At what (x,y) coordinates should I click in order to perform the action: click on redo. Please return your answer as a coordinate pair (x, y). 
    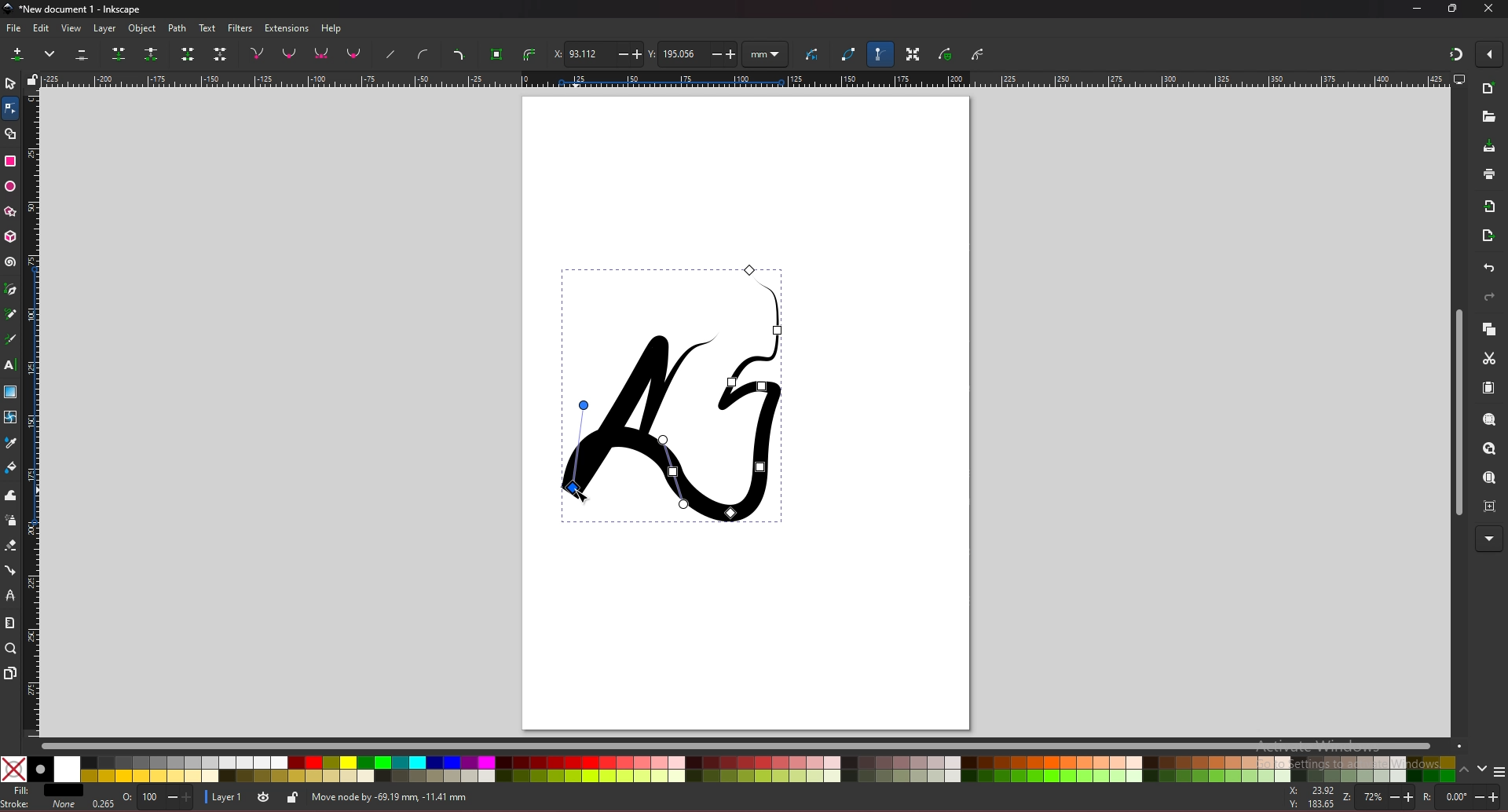
    Looking at the image, I should click on (1489, 297).